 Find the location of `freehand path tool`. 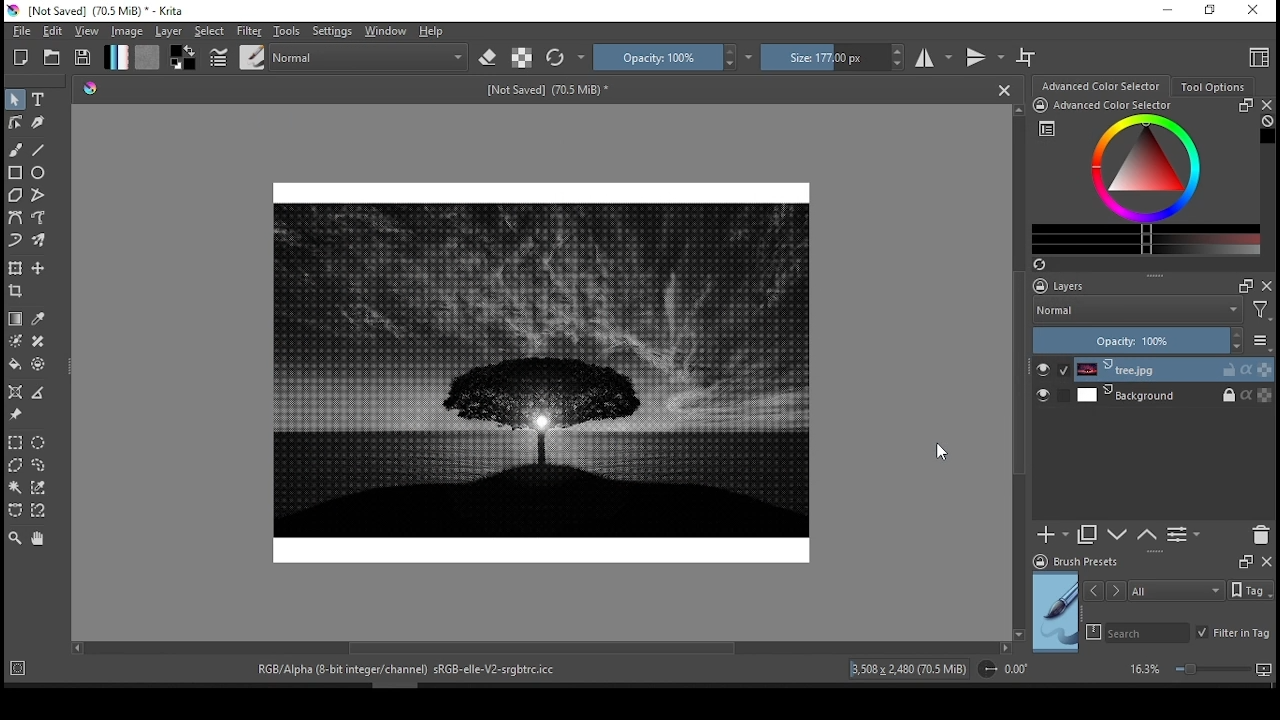

freehand path tool is located at coordinates (38, 216).